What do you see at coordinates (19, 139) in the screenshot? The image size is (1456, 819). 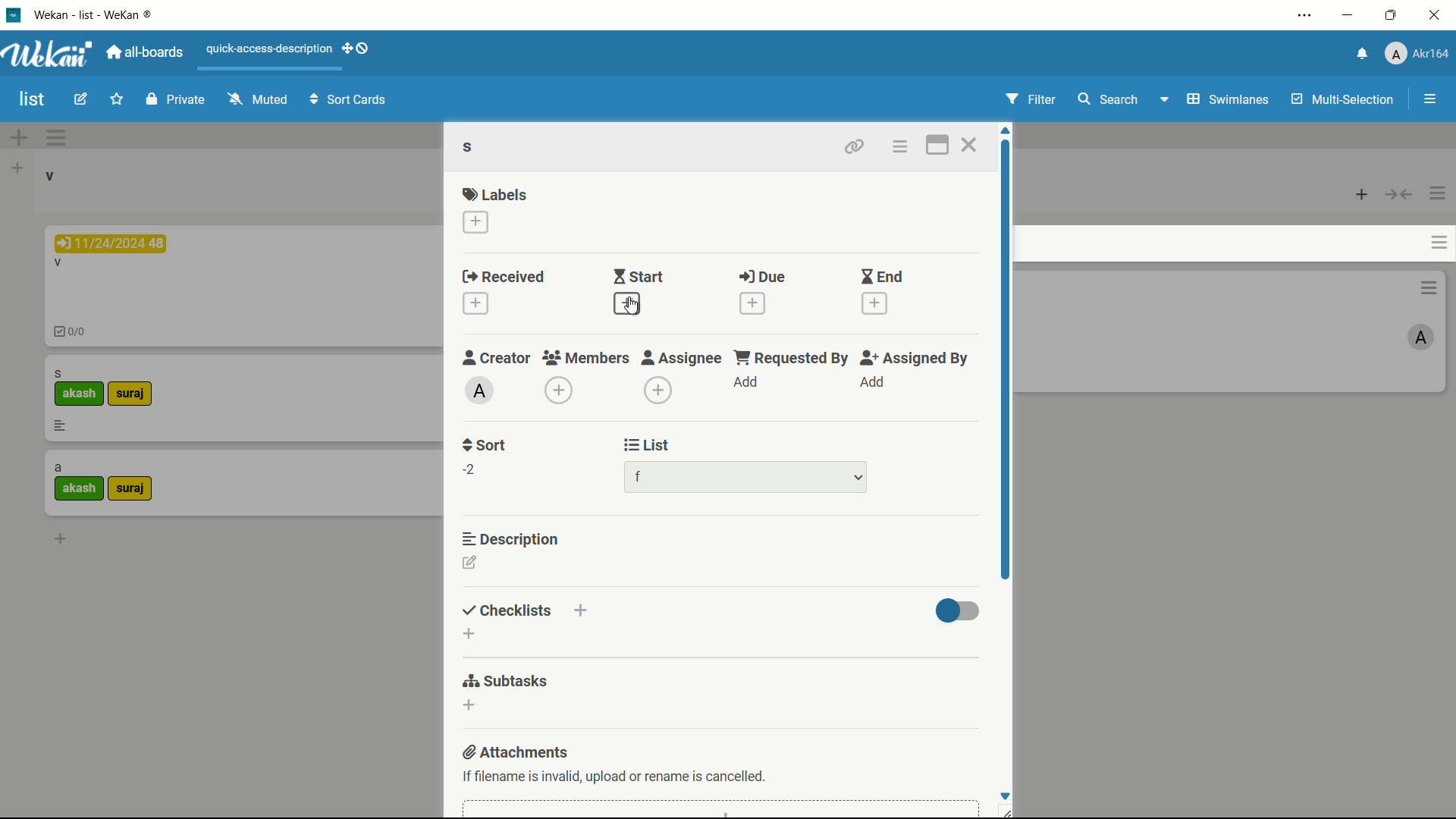 I see `add swimlane` at bounding box center [19, 139].